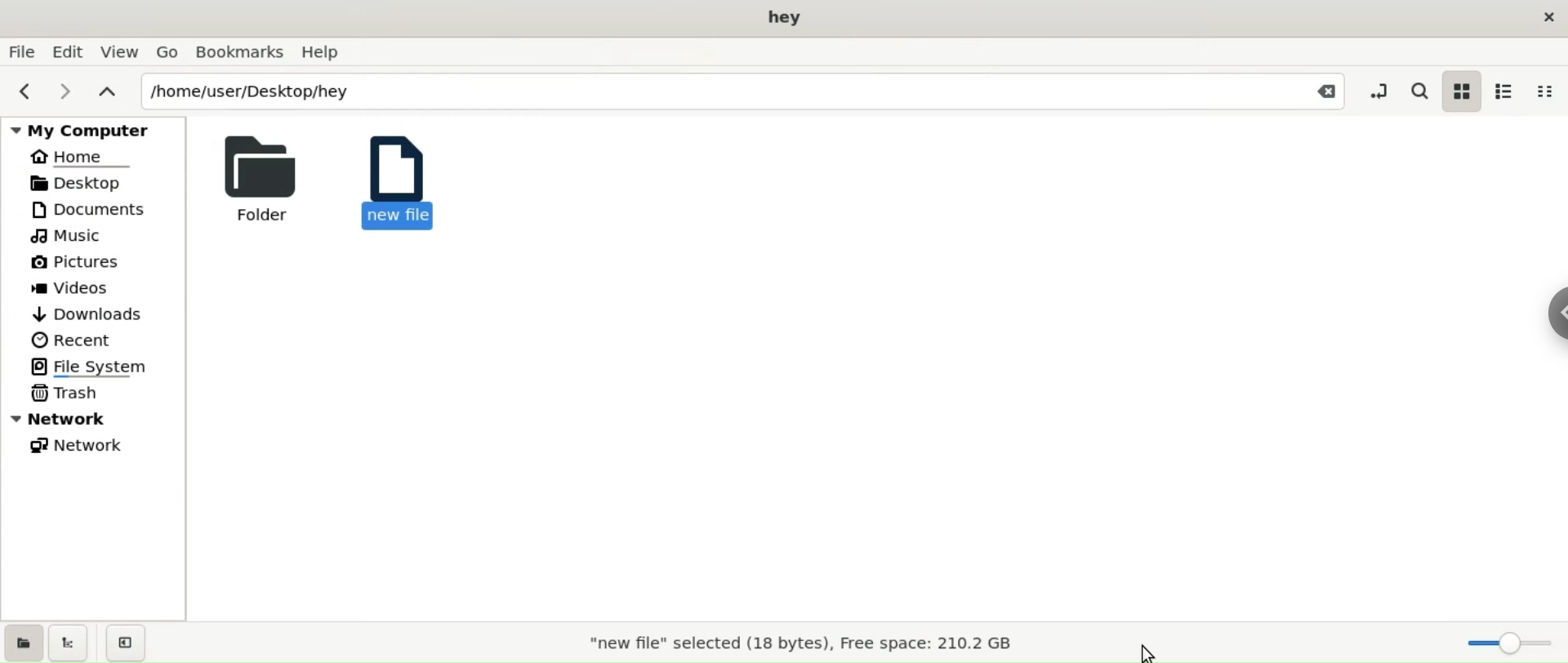  Describe the element at coordinates (24, 91) in the screenshot. I see `previous` at that location.